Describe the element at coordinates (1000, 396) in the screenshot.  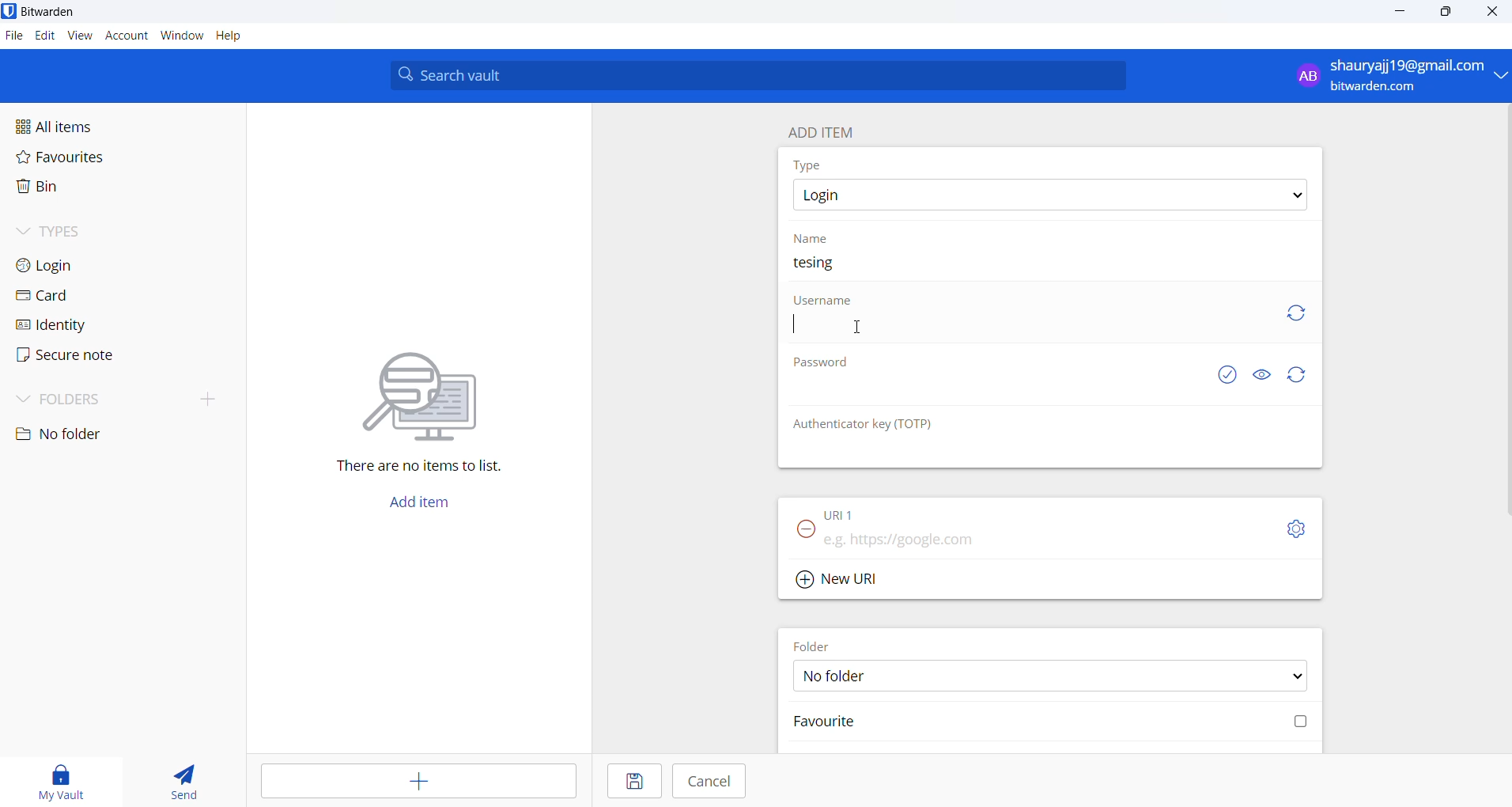
I see `Password input box` at that location.